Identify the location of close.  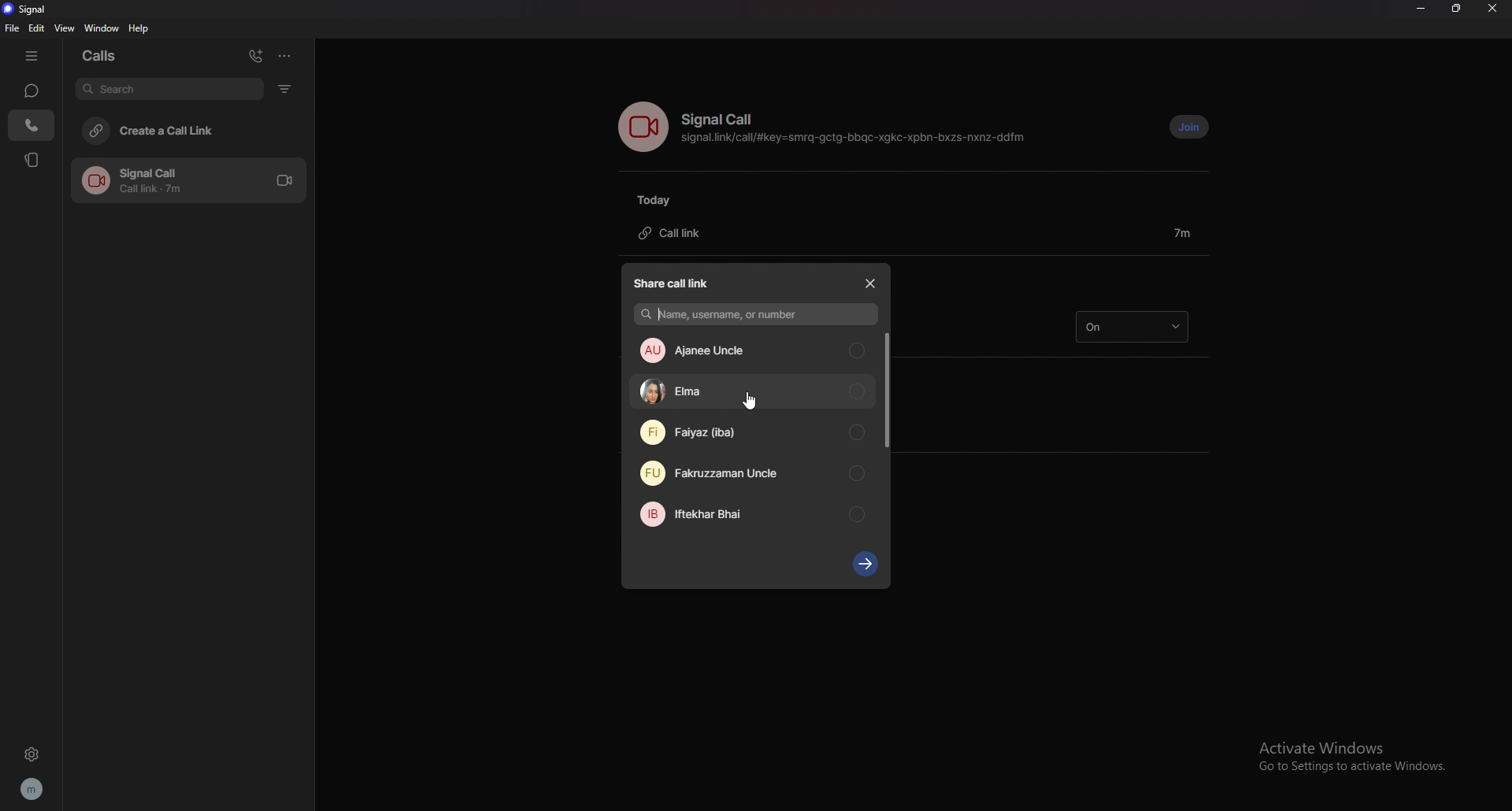
(869, 283).